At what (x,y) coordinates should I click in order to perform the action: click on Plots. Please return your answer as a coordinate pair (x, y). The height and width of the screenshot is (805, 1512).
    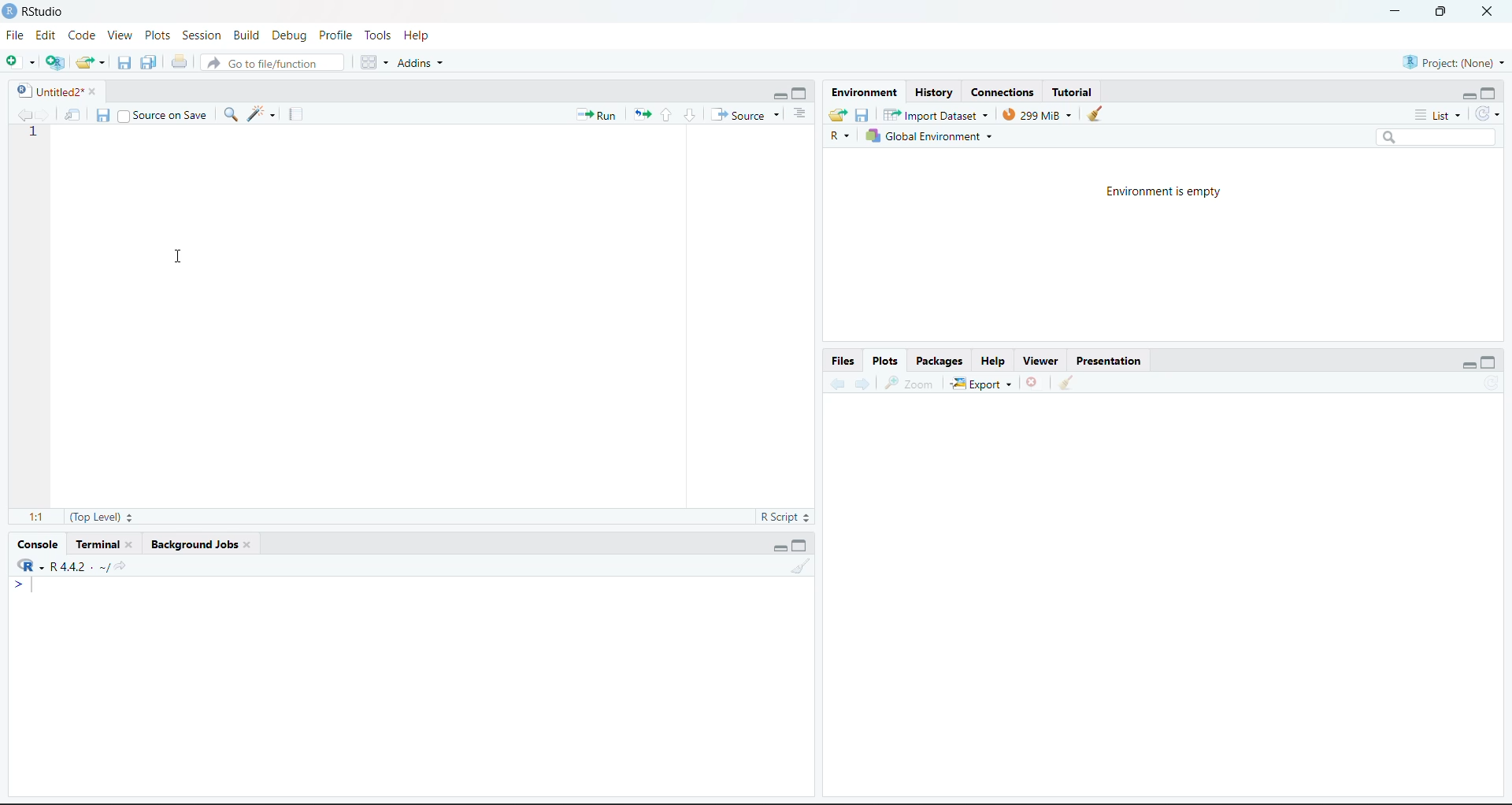
    Looking at the image, I should click on (157, 35).